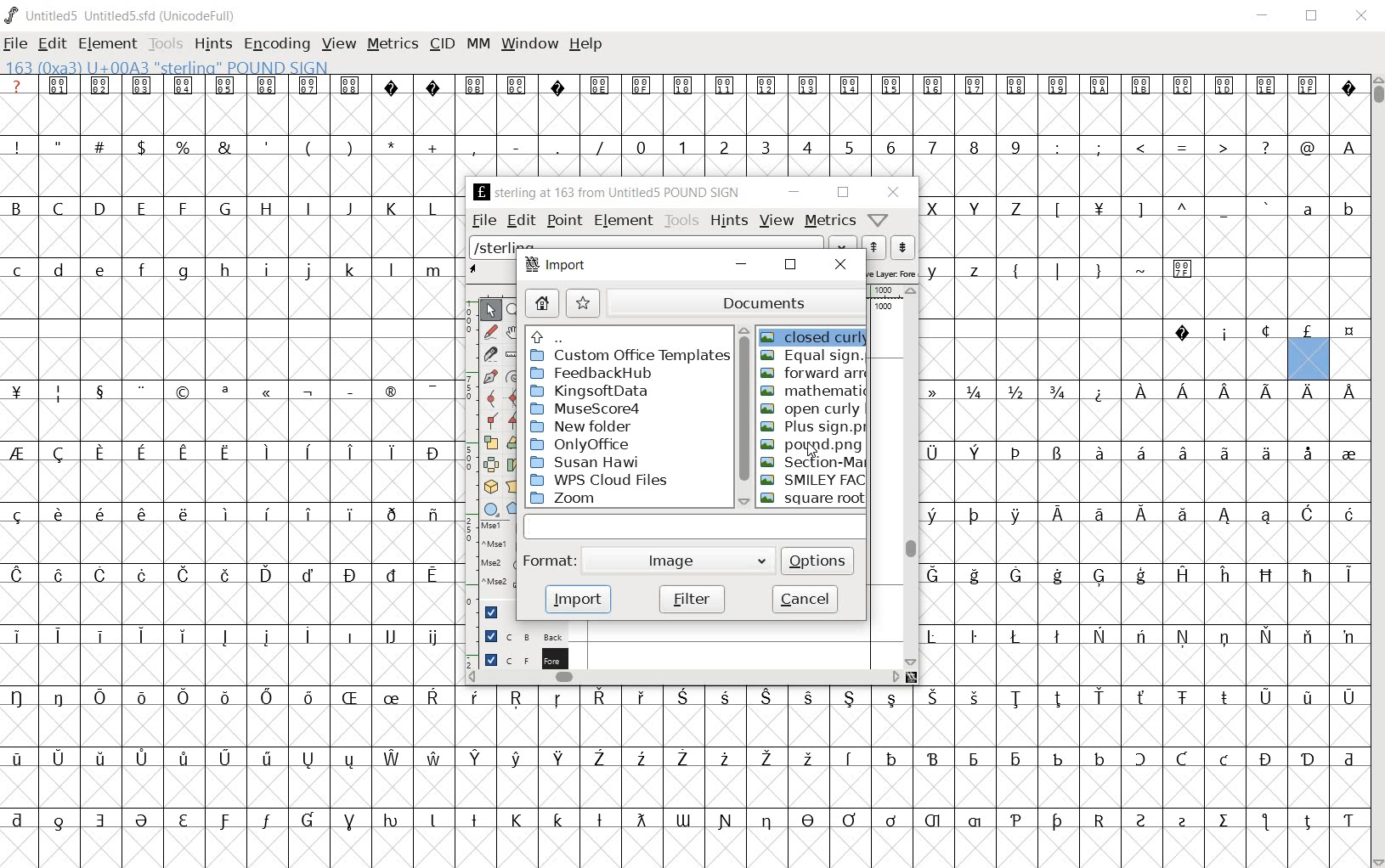 This screenshot has width=1385, height=868. I want to click on Symbol, so click(140, 635).